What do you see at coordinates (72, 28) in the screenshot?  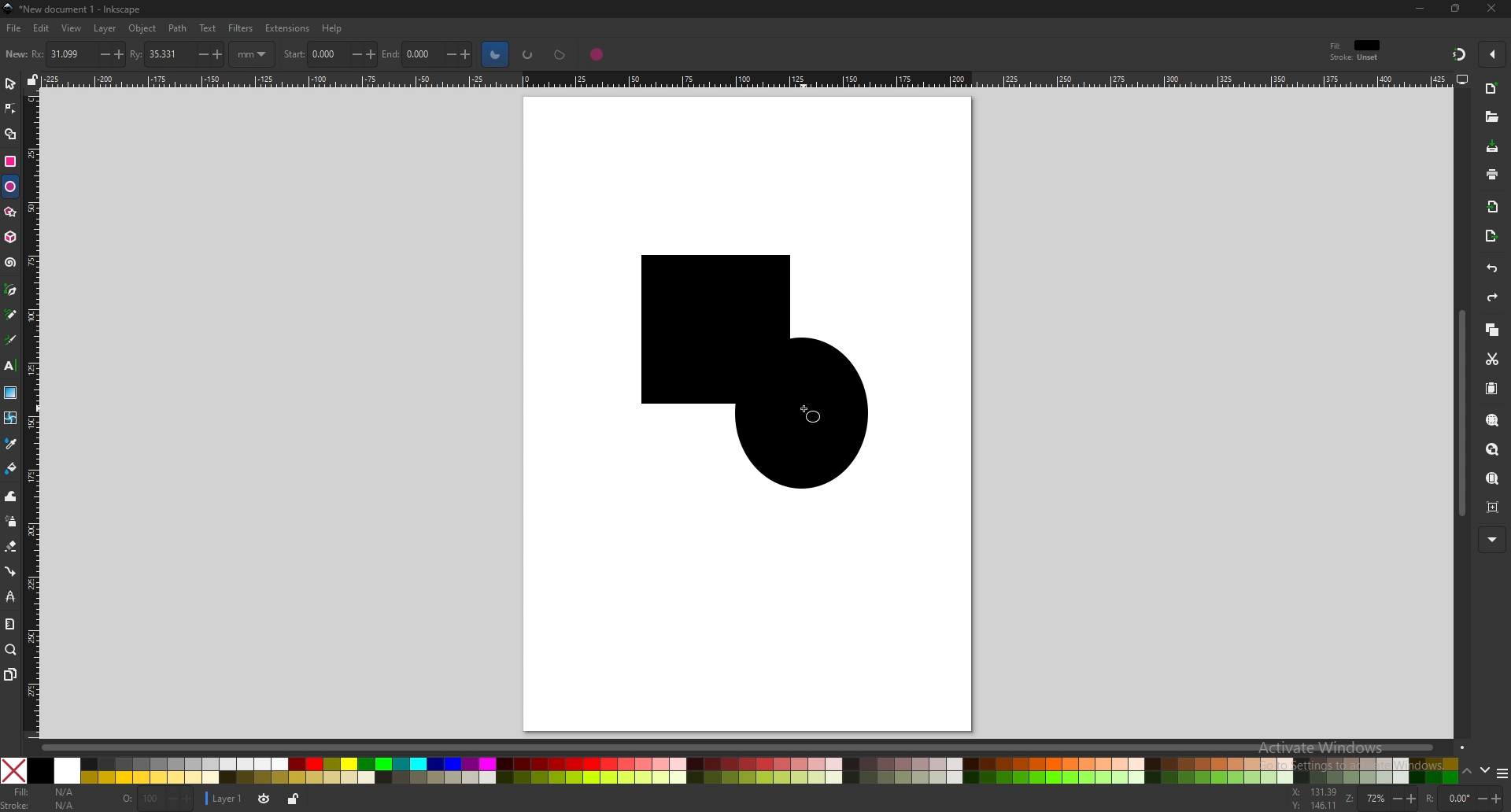 I see `view` at bounding box center [72, 28].